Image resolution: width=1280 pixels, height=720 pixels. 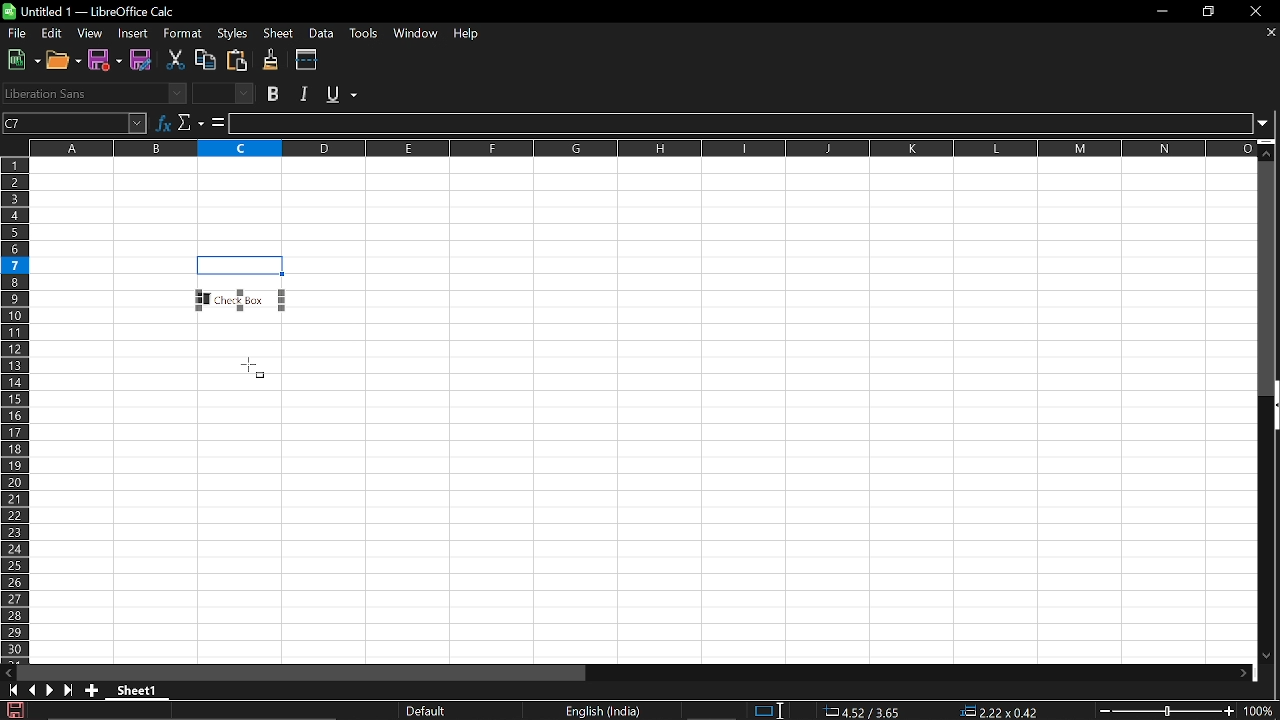 I want to click on Expand formula bar, so click(x=1268, y=124).